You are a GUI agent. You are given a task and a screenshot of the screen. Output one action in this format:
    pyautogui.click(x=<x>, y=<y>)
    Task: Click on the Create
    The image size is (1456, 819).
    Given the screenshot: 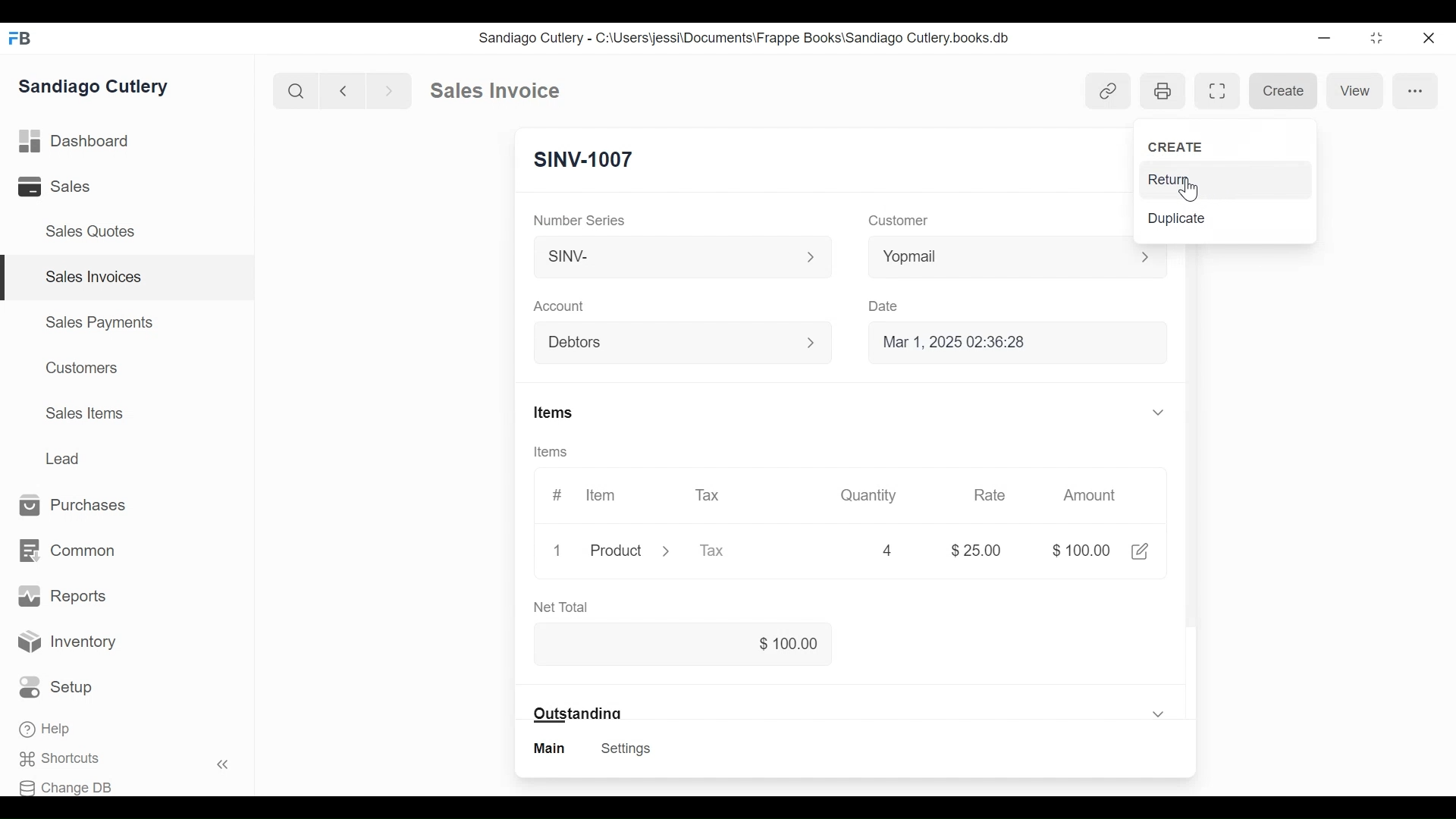 What is the action you would take?
    pyautogui.click(x=1175, y=147)
    